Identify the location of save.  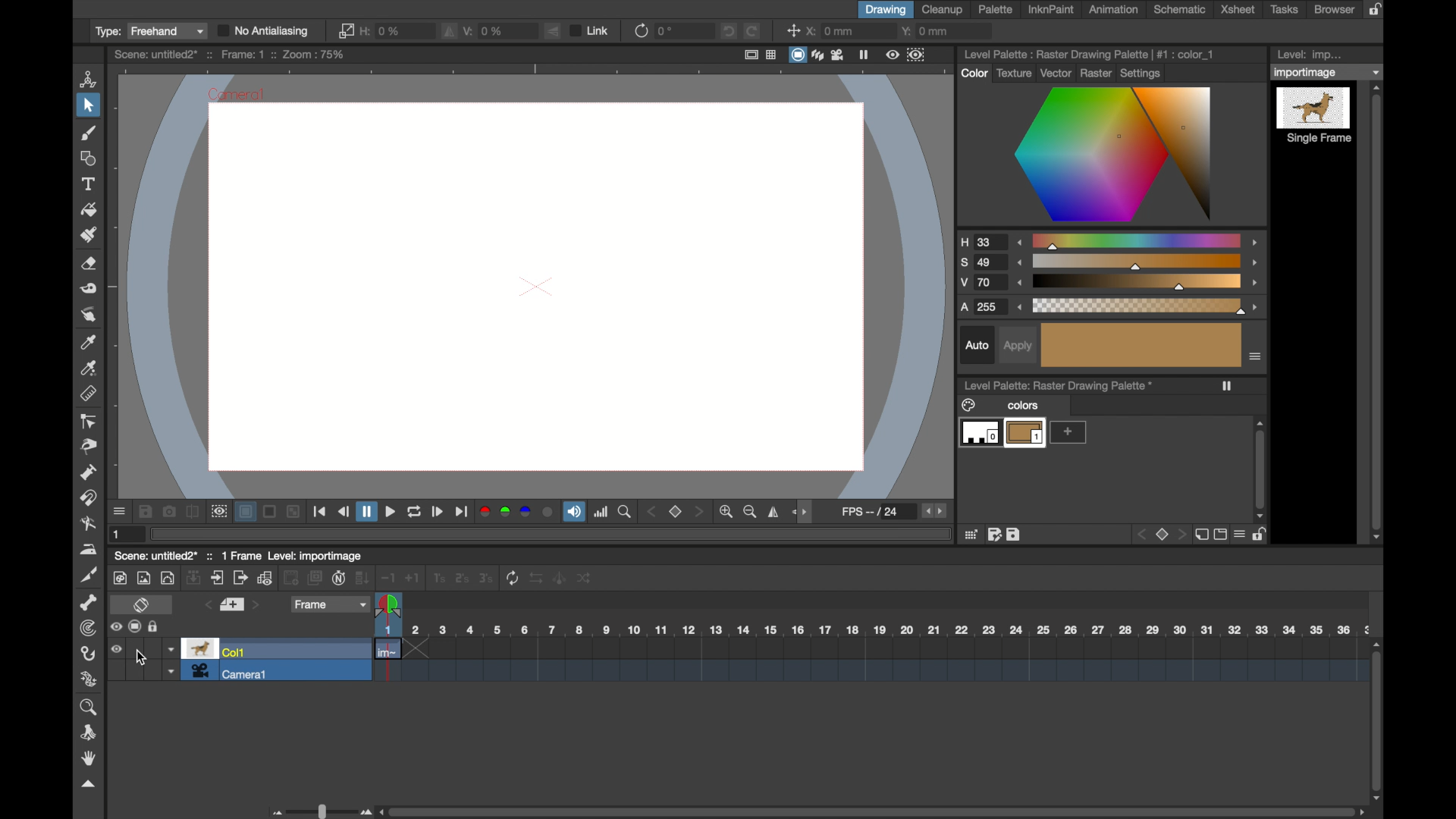
(145, 511).